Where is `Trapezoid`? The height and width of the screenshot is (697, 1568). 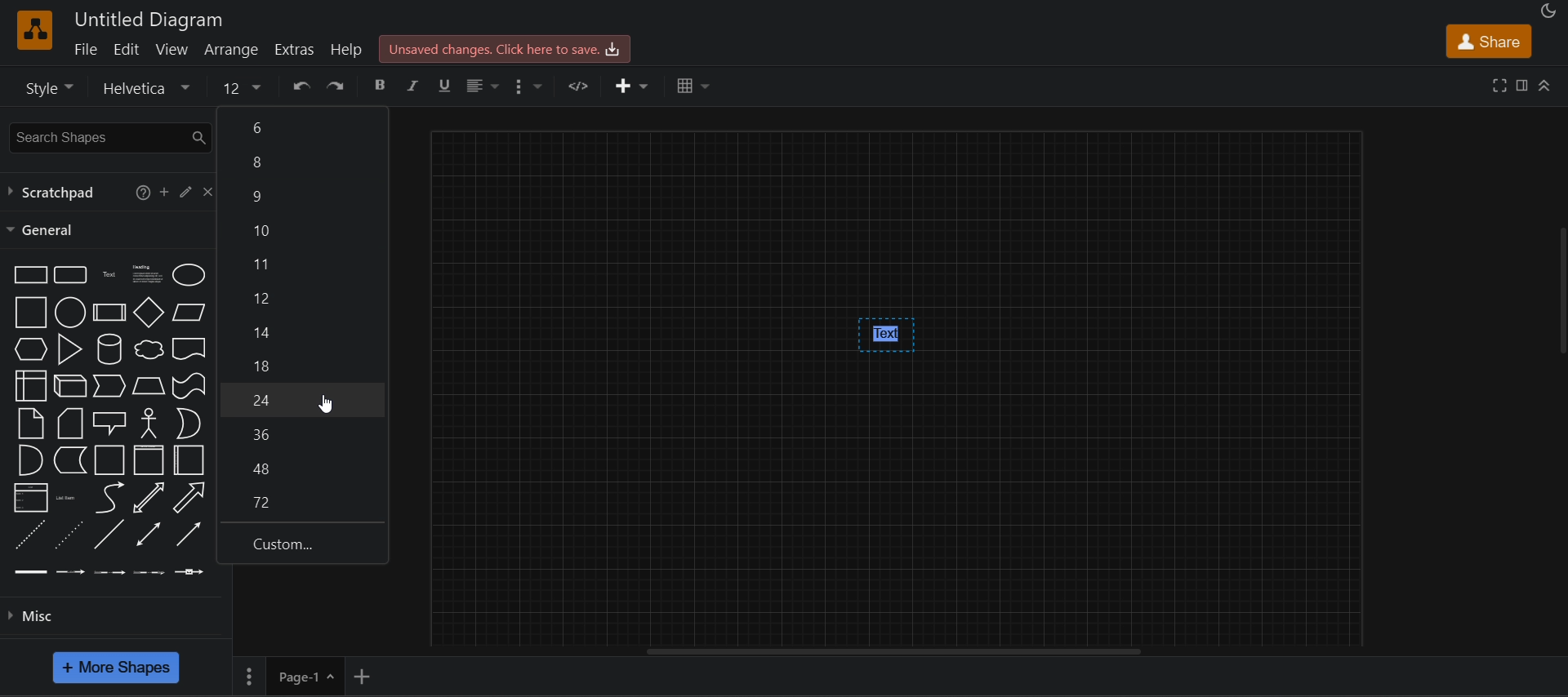 Trapezoid is located at coordinates (149, 385).